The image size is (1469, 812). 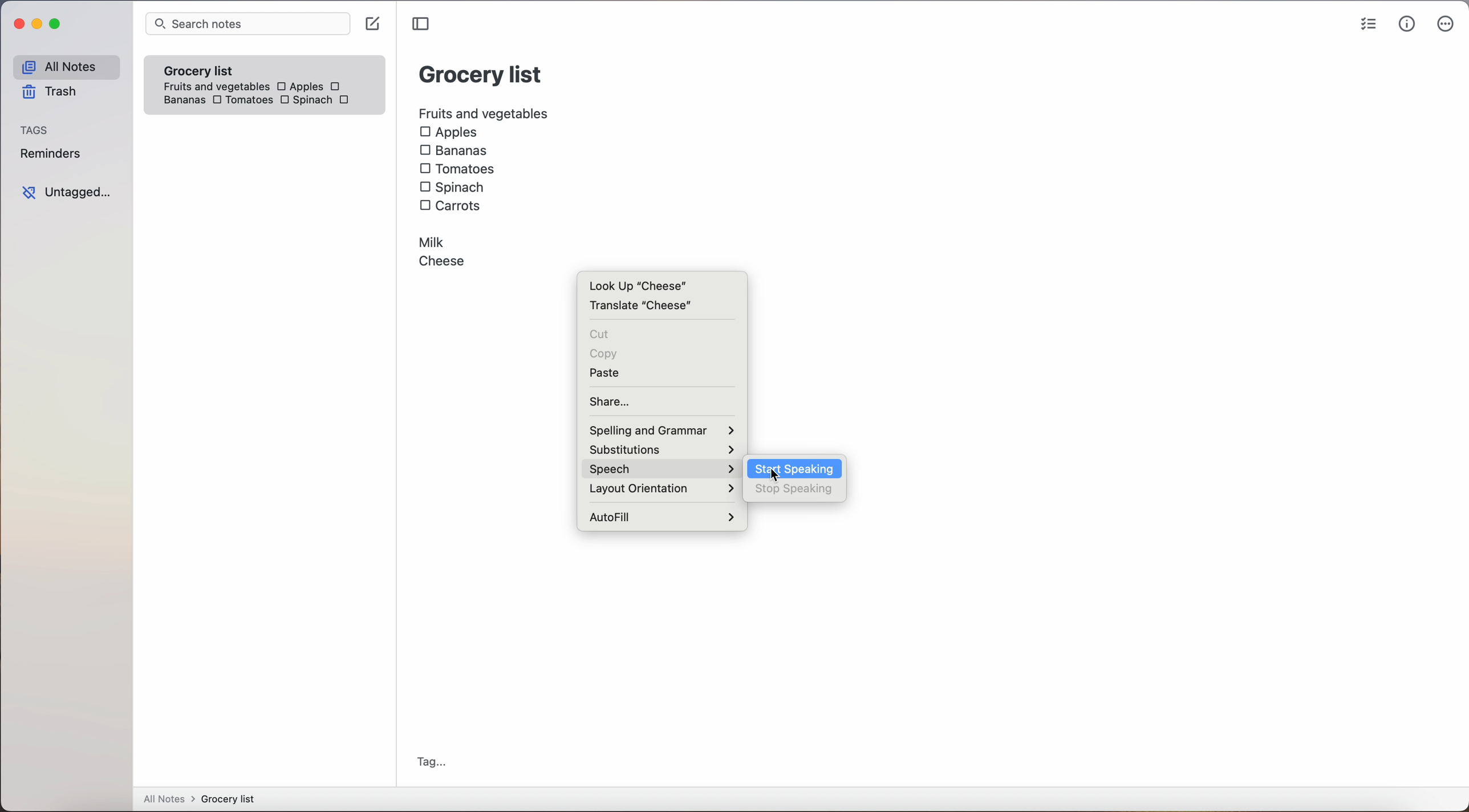 I want to click on Grocery List, so click(x=480, y=76).